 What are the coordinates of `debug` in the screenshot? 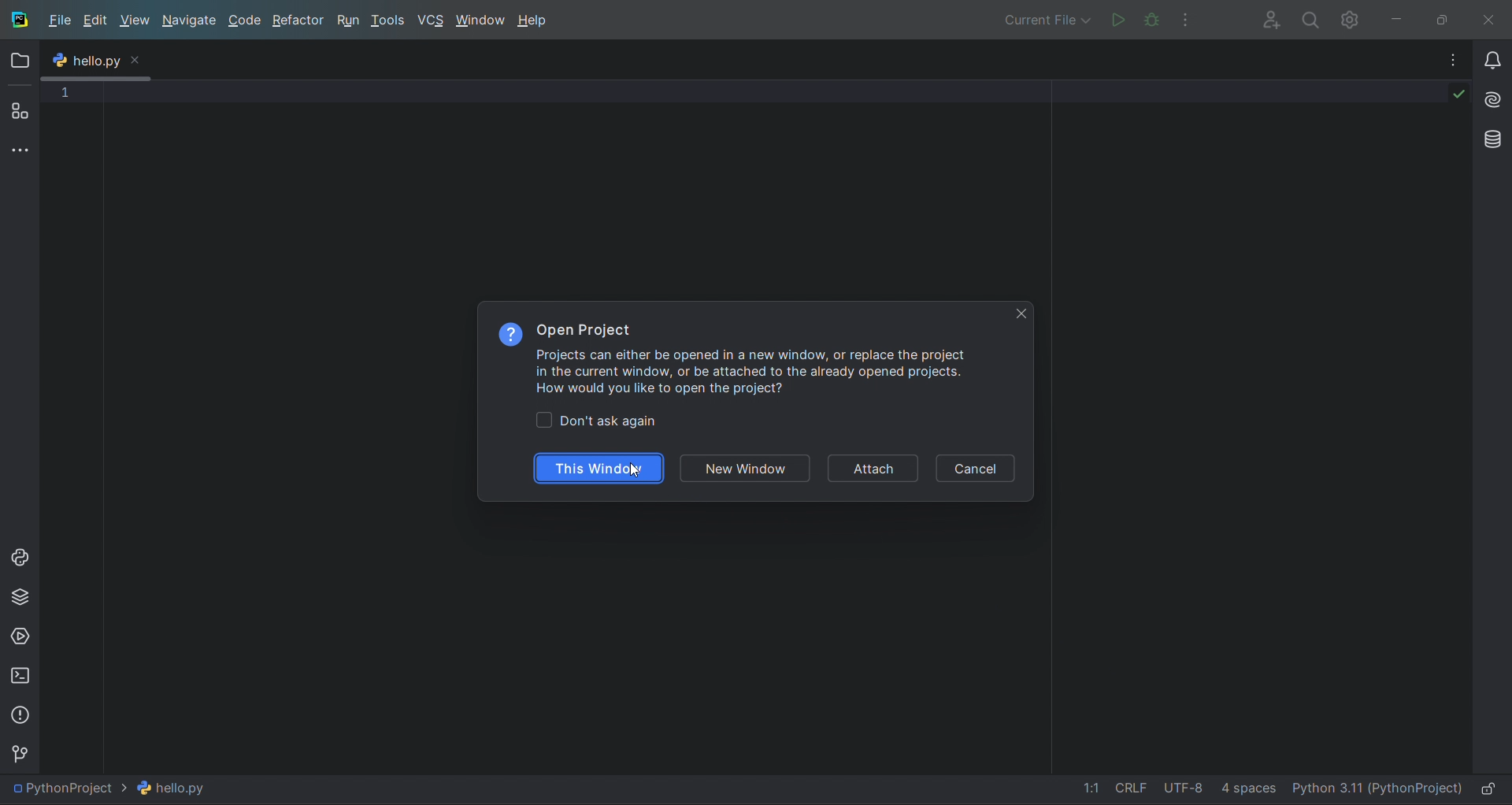 It's located at (1153, 19).